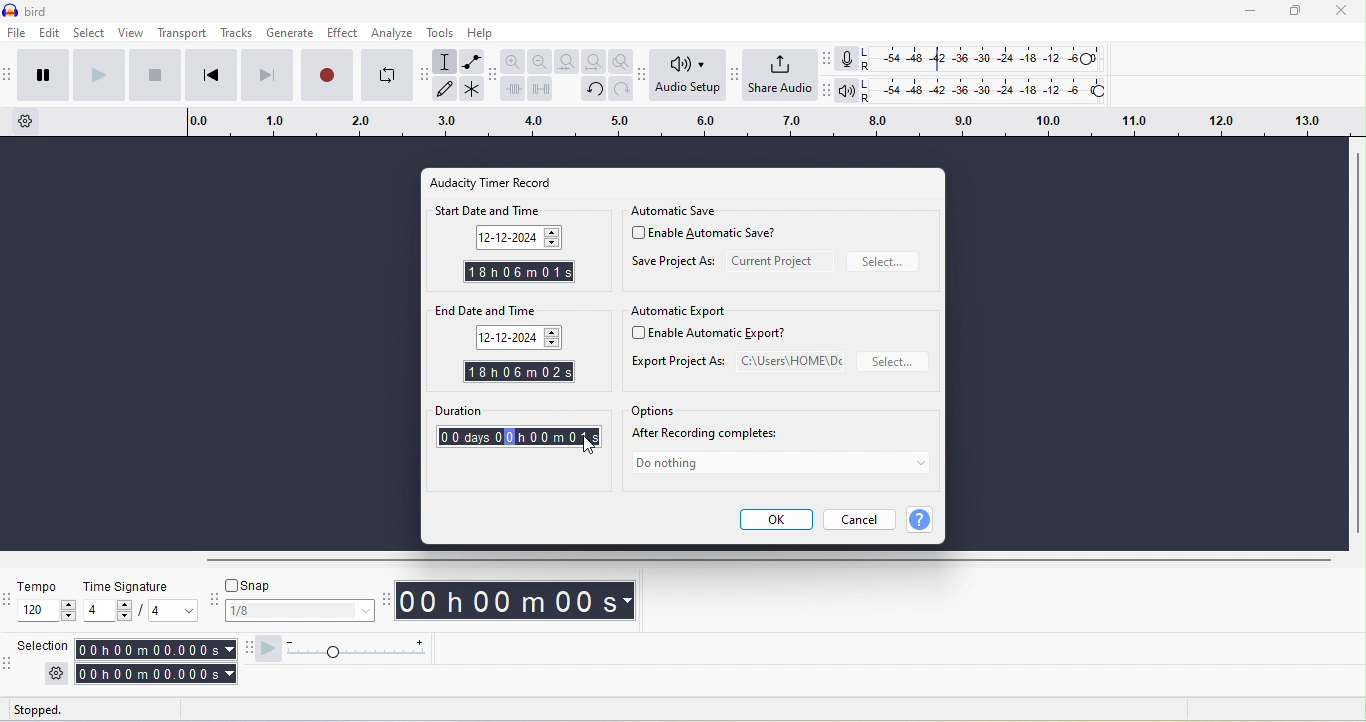 Image resolution: width=1366 pixels, height=722 pixels. I want to click on fit selection to width, so click(567, 63).